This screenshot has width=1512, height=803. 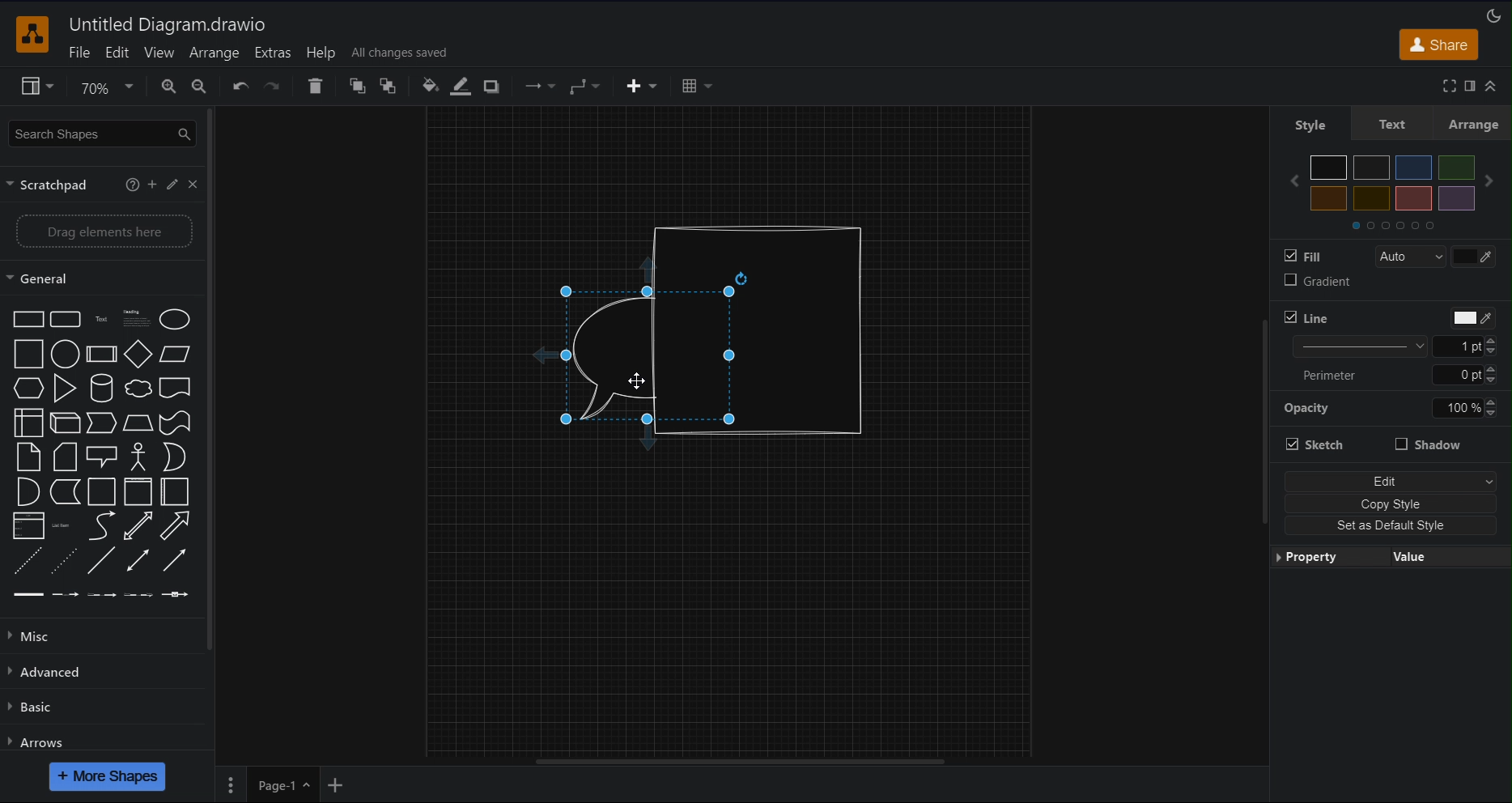 What do you see at coordinates (1391, 482) in the screenshot?
I see `Edit` at bounding box center [1391, 482].